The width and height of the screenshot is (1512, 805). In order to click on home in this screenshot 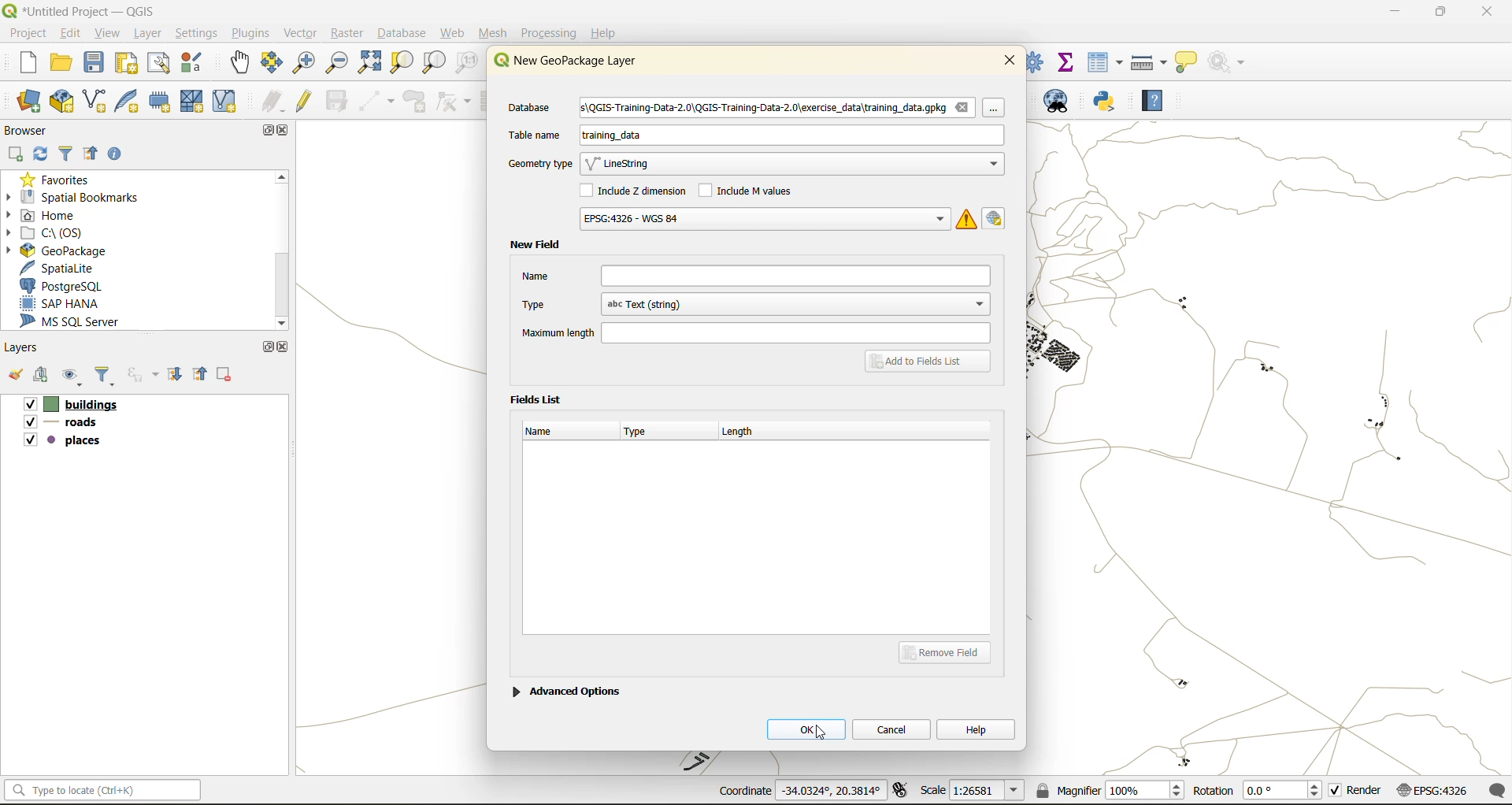, I will do `click(47, 215)`.